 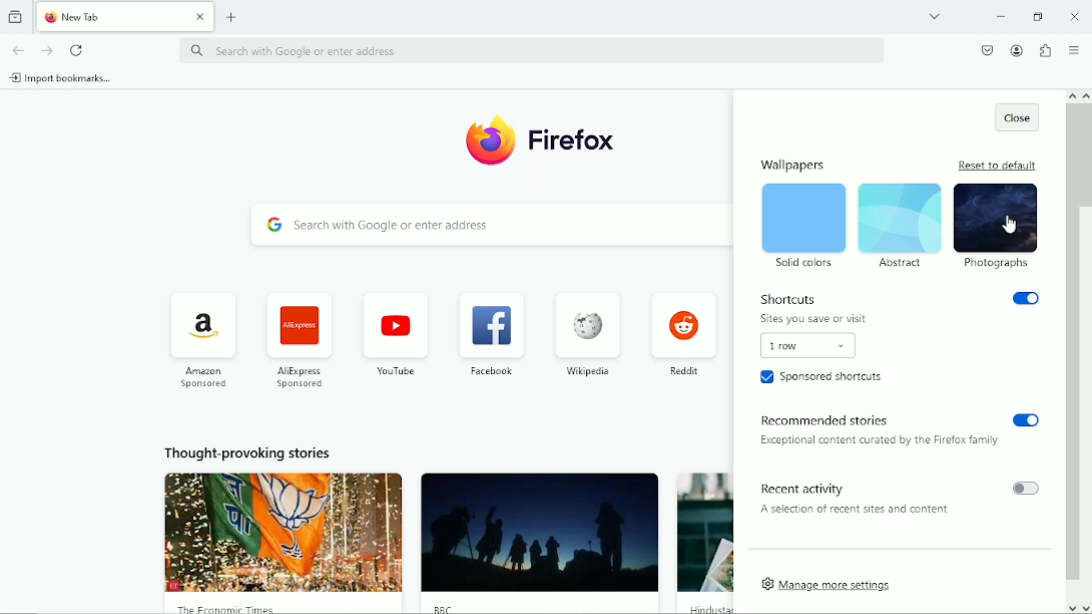 What do you see at coordinates (76, 50) in the screenshot?
I see `Reload current page` at bounding box center [76, 50].